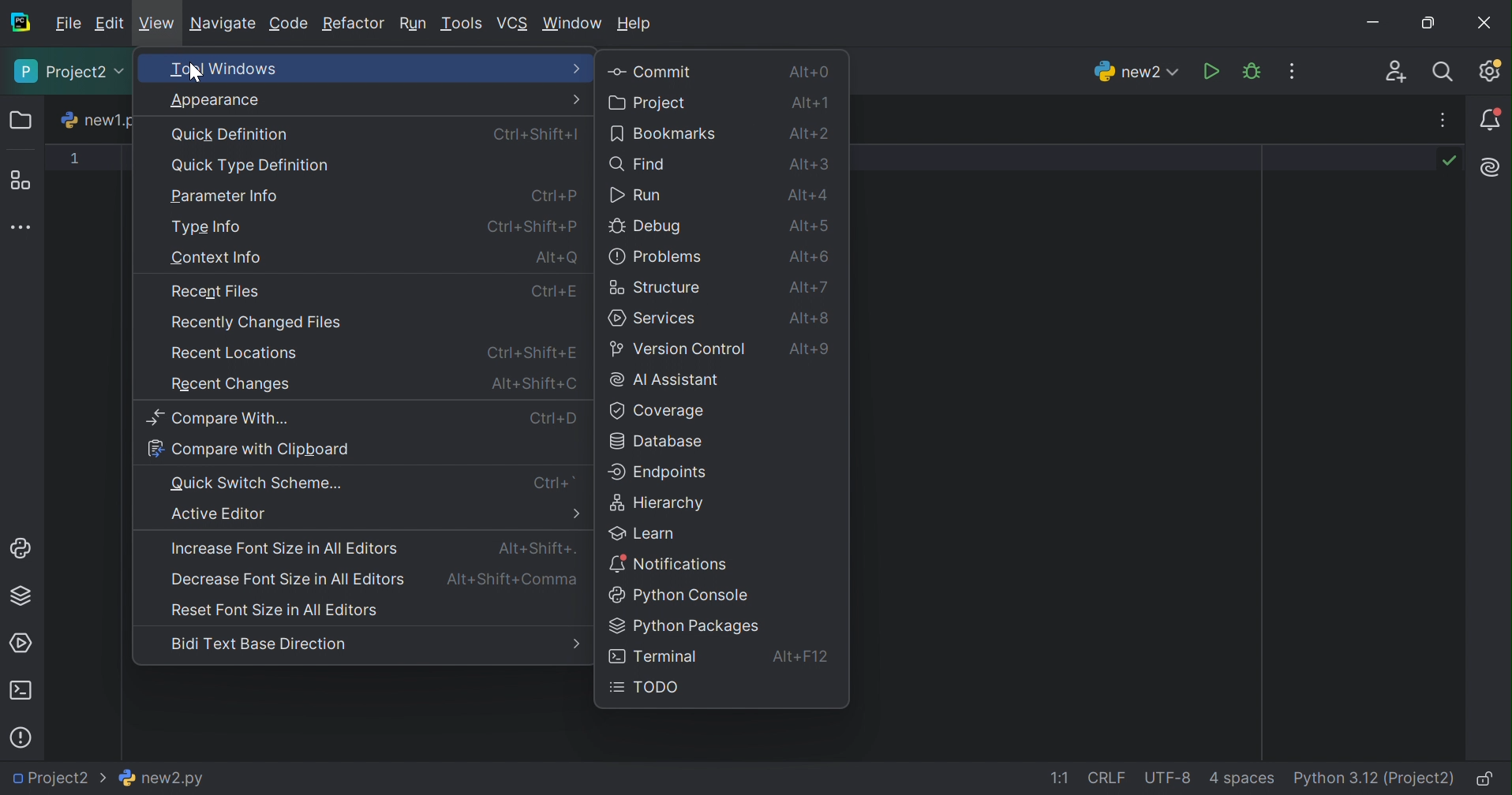 The width and height of the screenshot is (1512, 795). What do you see at coordinates (574, 69) in the screenshot?
I see `More` at bounding box center [574, 69].